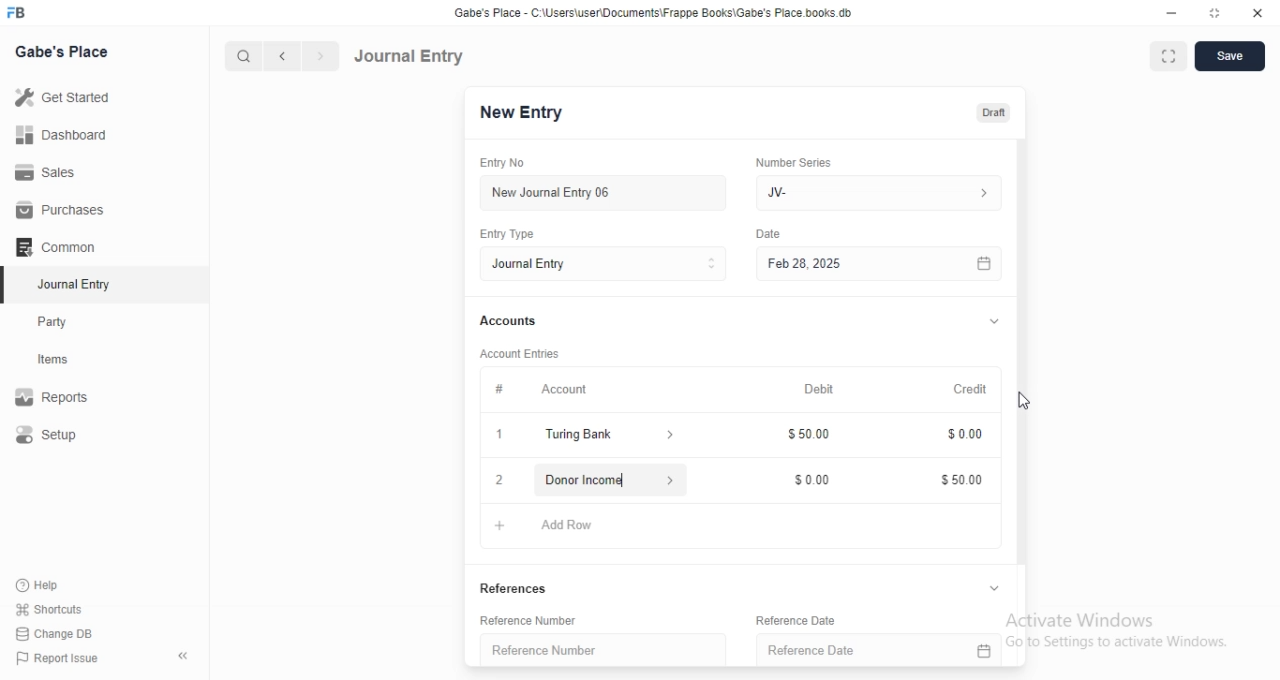 This screenshot has width=1280, height=680. What do you see at coordinates (518, 322) in the screenshot?
I see `Accounts.` at bounding box center [518, 322].